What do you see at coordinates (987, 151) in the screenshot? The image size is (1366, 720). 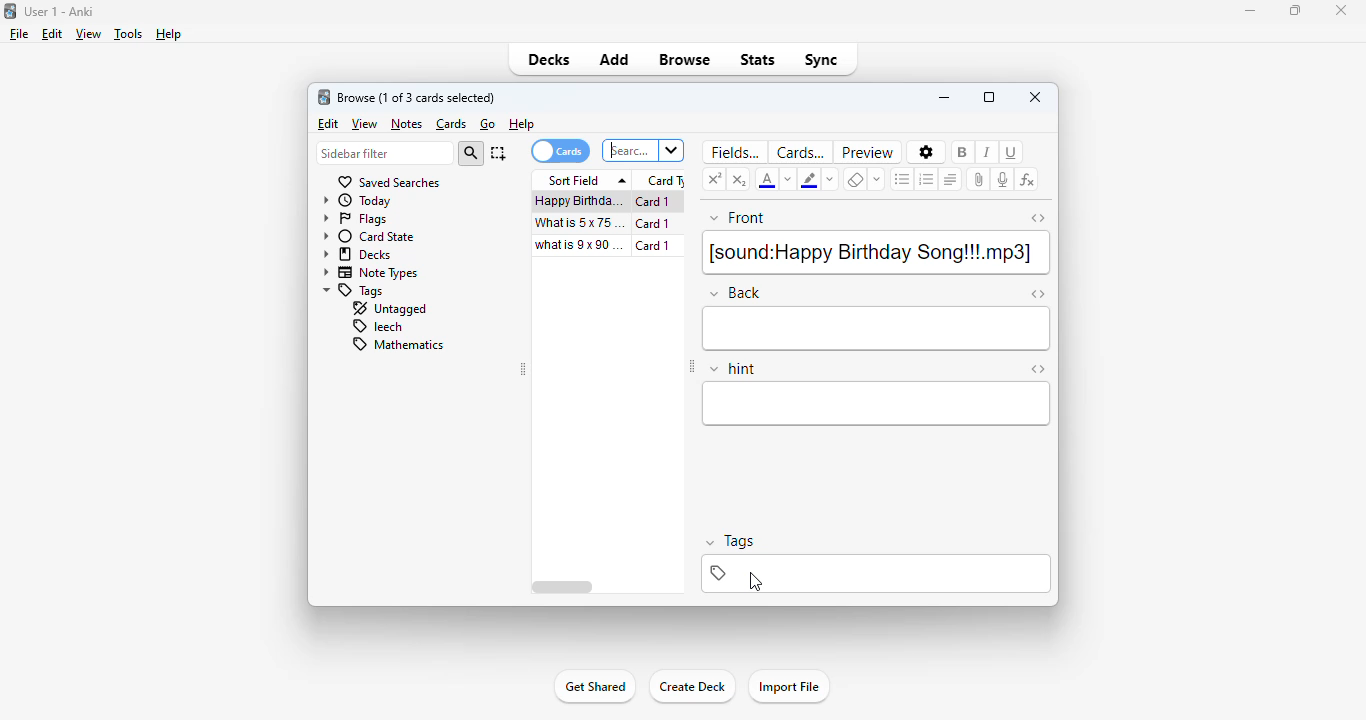 I see `italic` at bounding box center [987, 151].